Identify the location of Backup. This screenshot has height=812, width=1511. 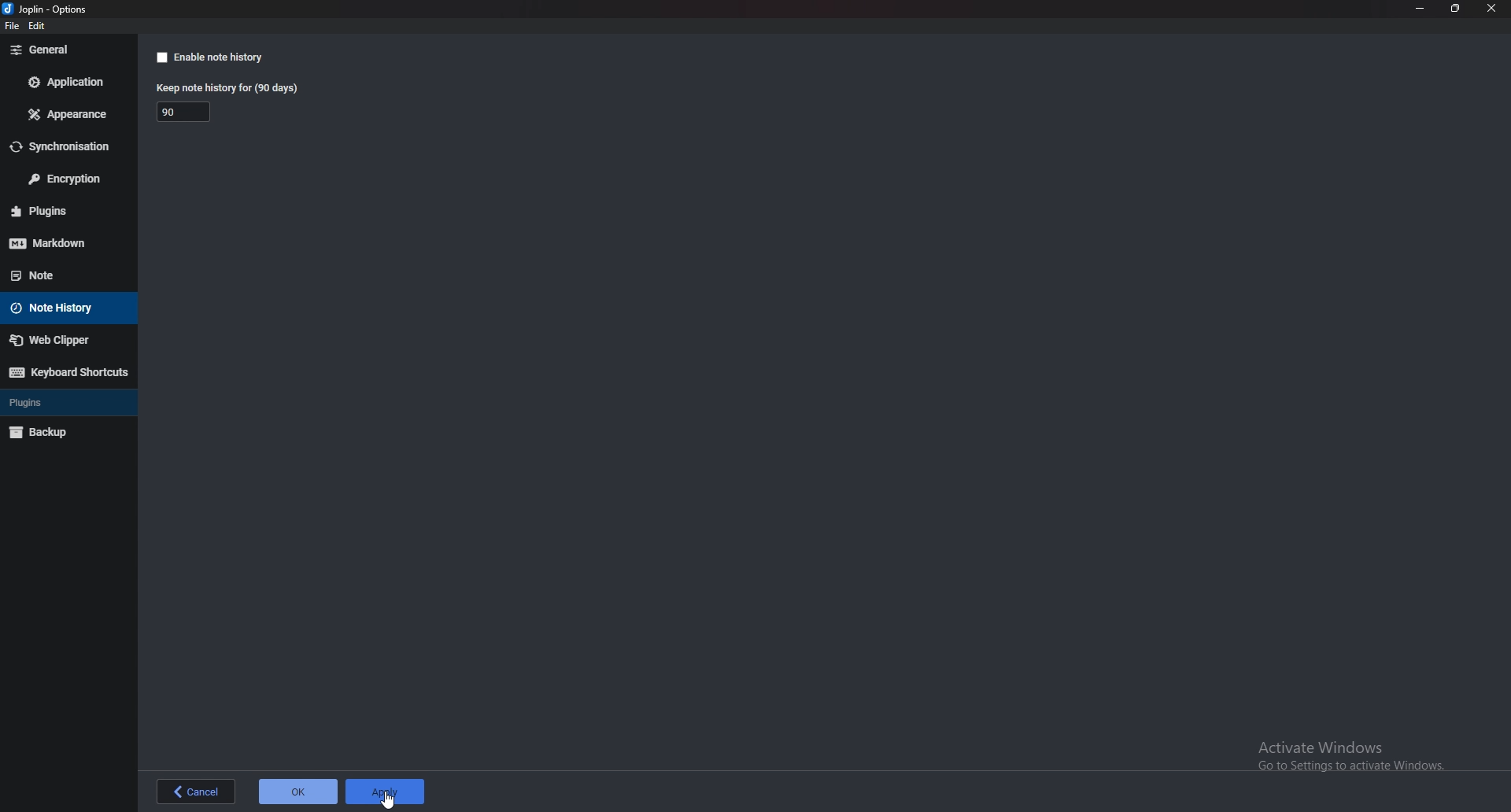
(63, 432).